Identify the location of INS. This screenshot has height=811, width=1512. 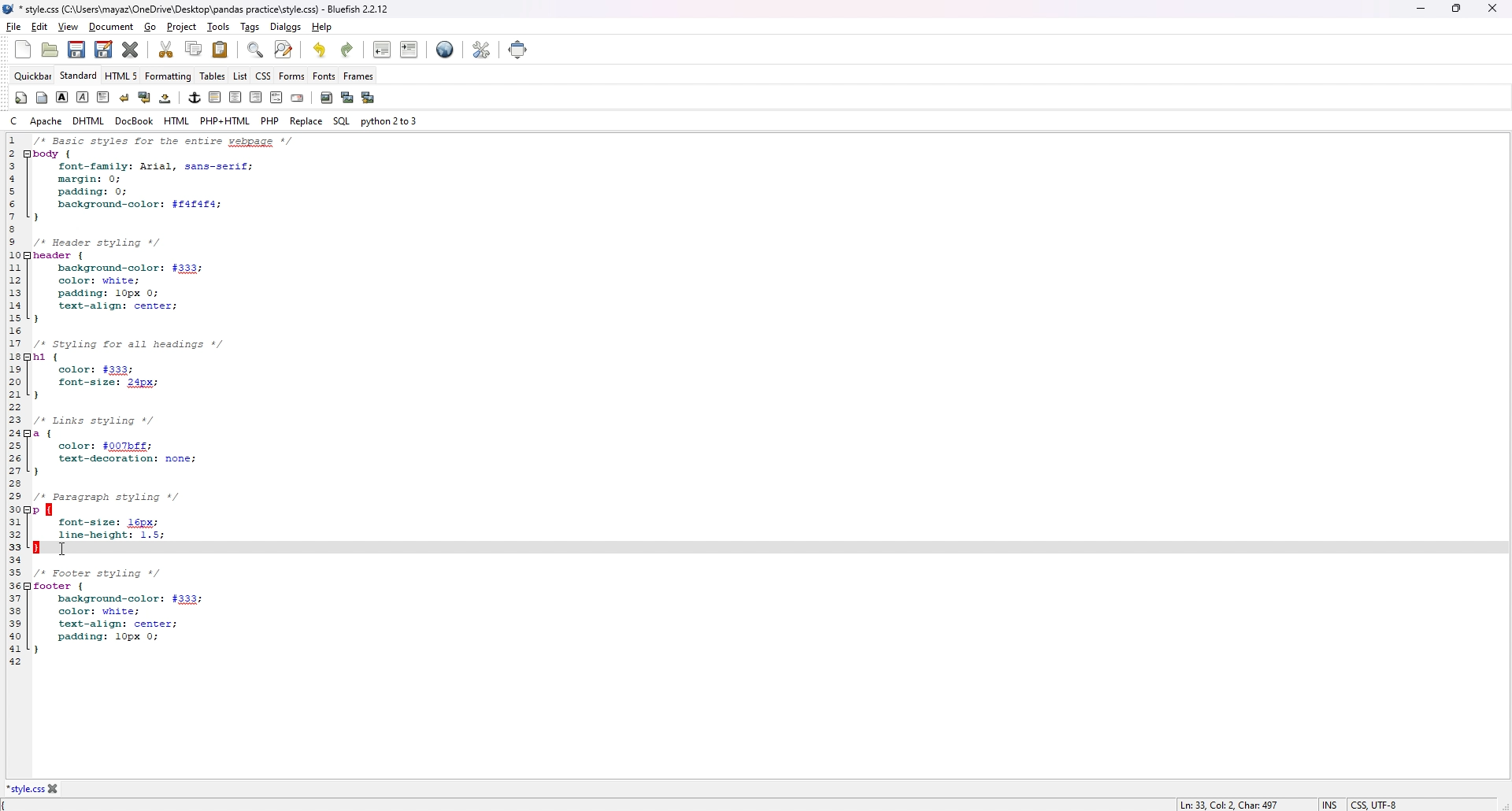
(1332, 803).